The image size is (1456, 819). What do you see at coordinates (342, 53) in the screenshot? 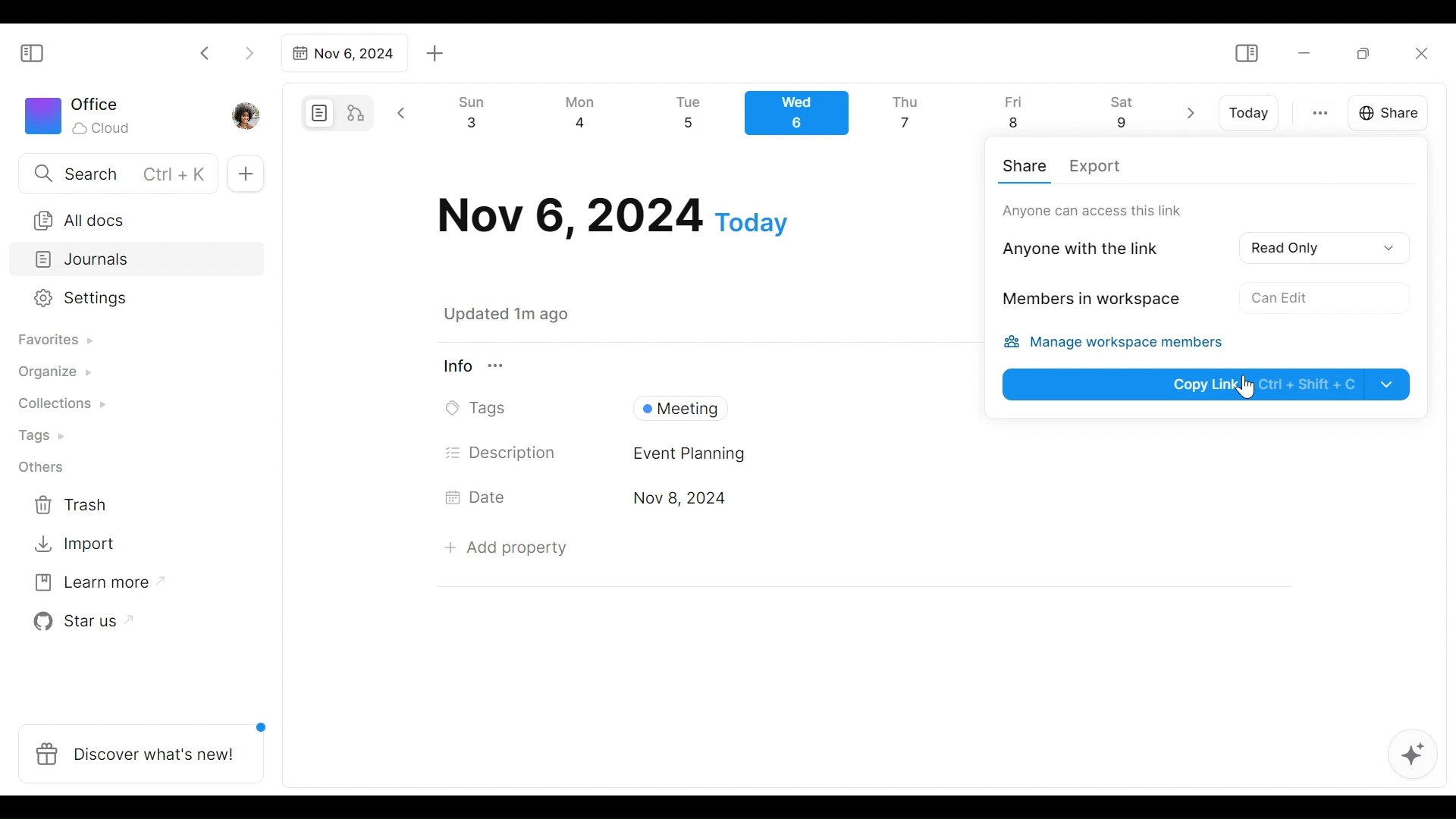
I see `Tab` at bounding box center [342, 53].